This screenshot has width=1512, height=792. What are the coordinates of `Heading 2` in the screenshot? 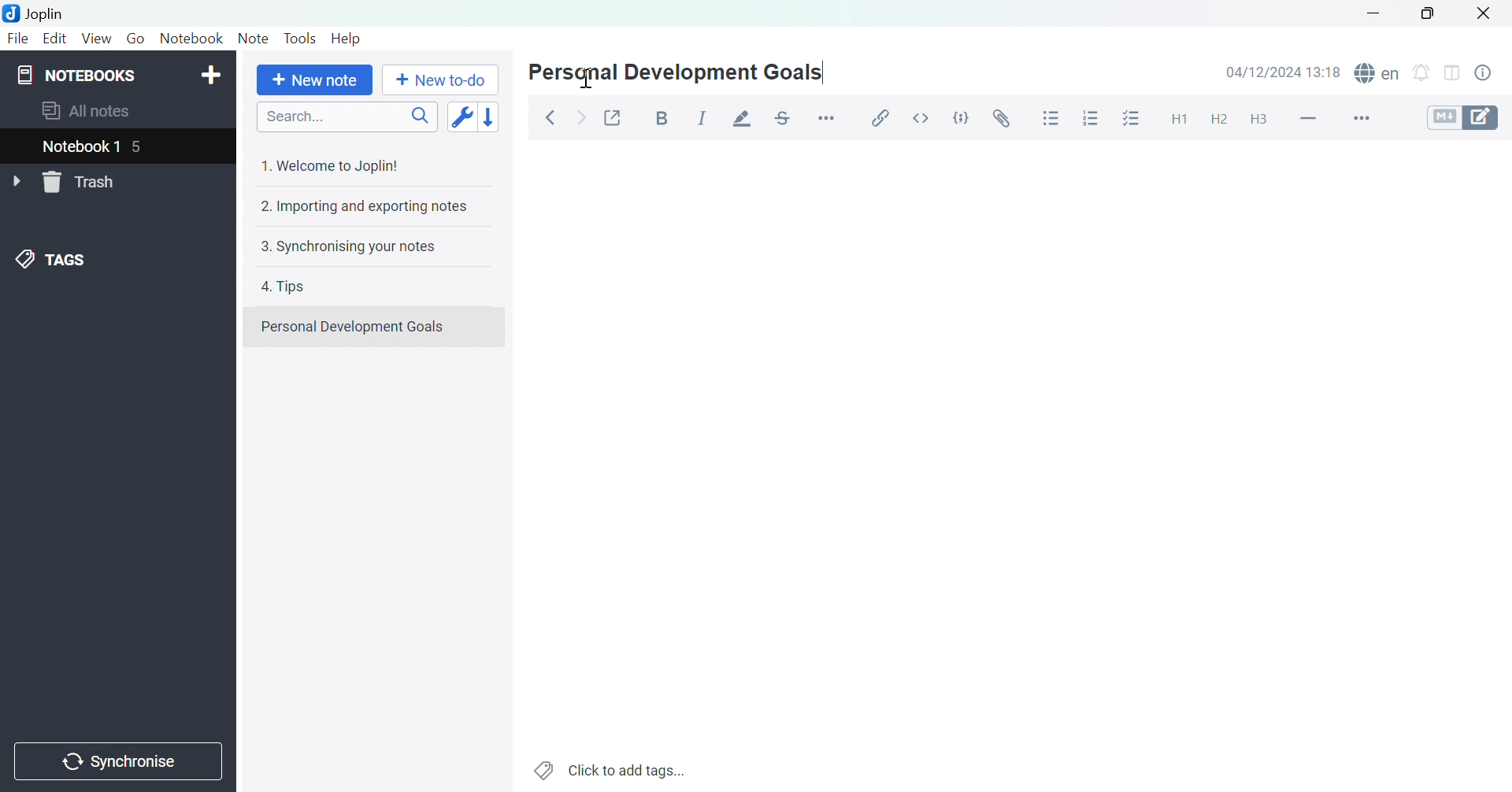 It's located at (1218, 121).